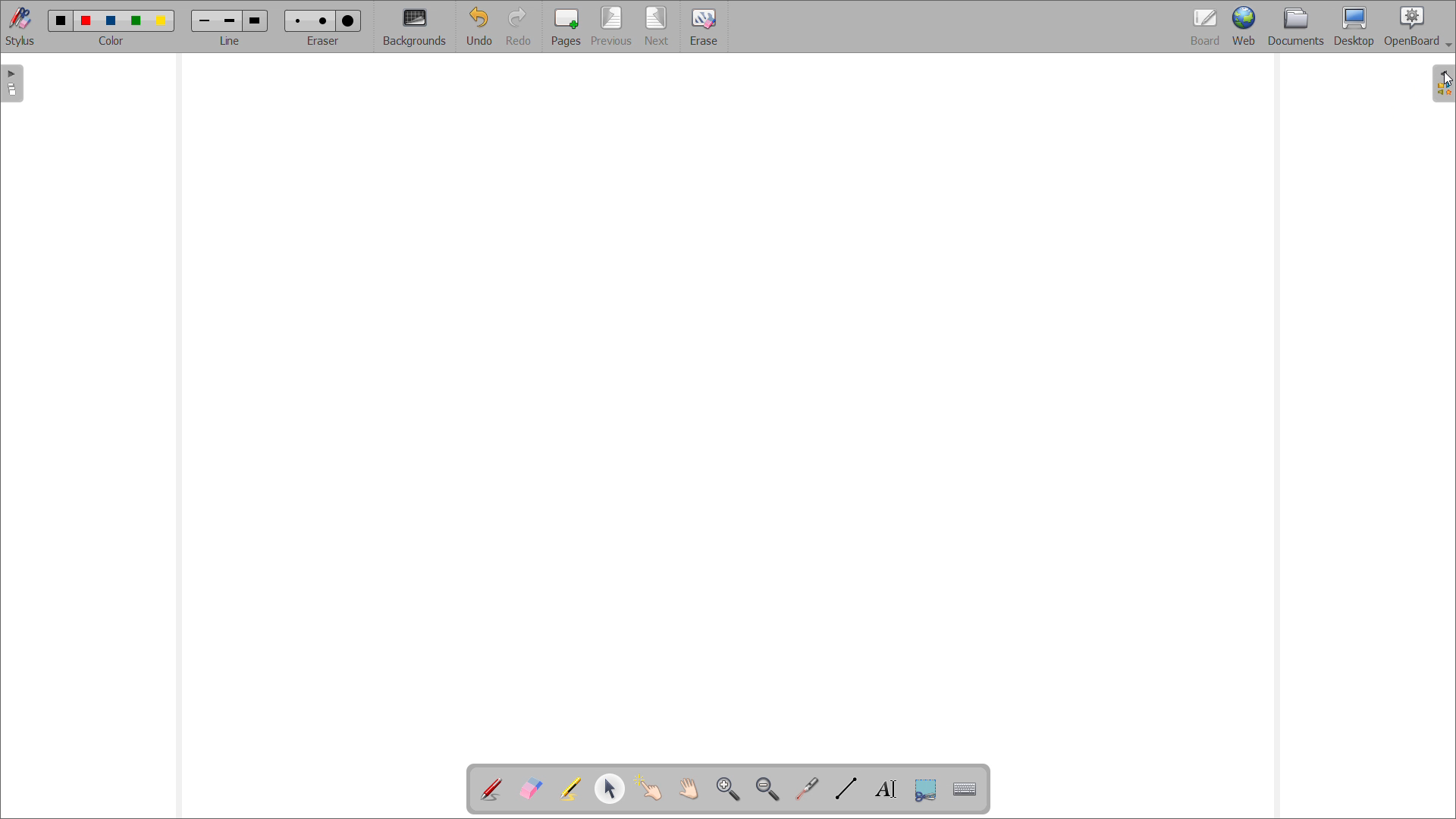 The width and height of the screenshot is (1456, 819). I want to click on board, so click(1206, 27).